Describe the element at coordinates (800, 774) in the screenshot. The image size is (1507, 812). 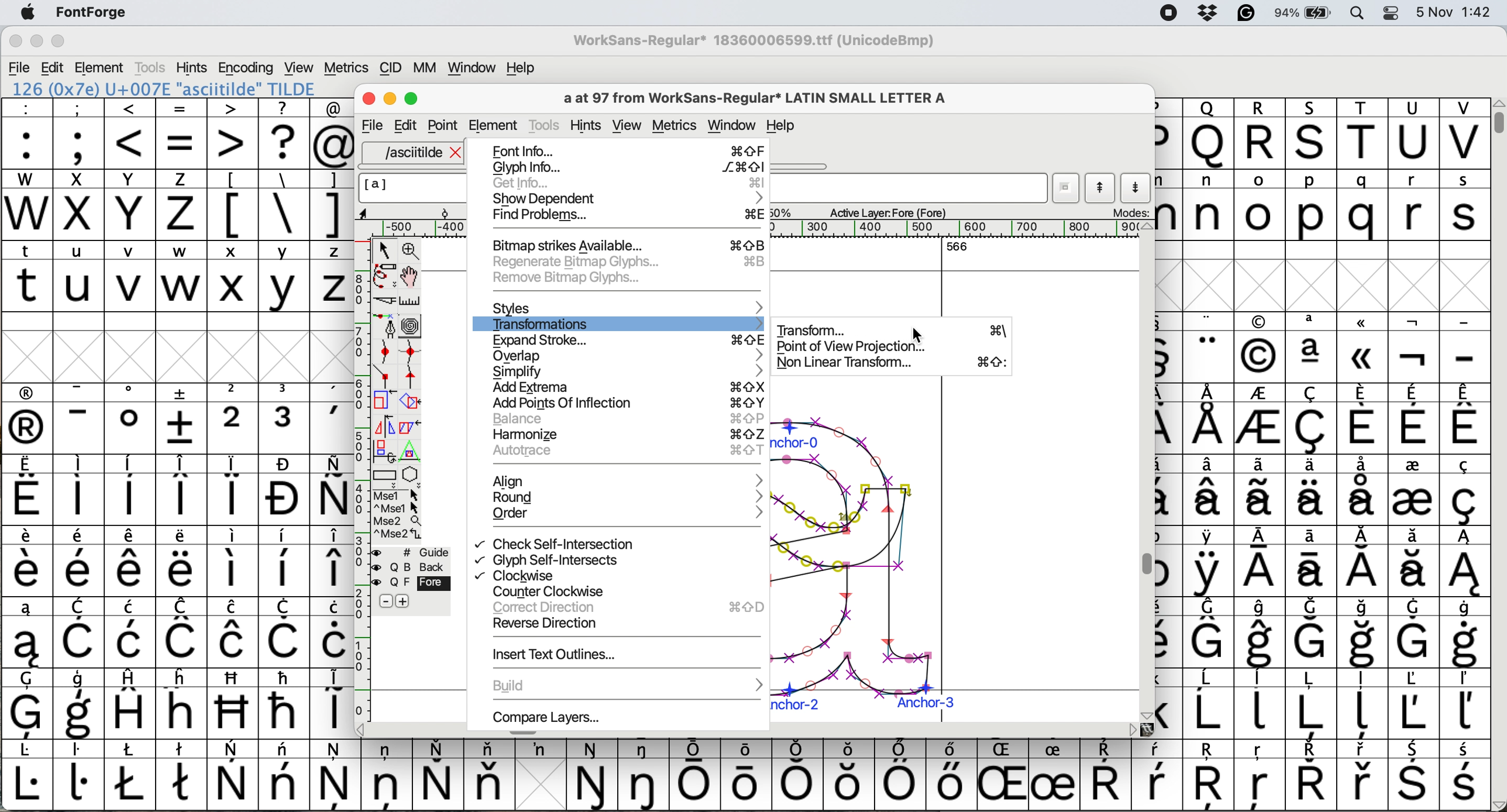
I see `symbol` at that location.